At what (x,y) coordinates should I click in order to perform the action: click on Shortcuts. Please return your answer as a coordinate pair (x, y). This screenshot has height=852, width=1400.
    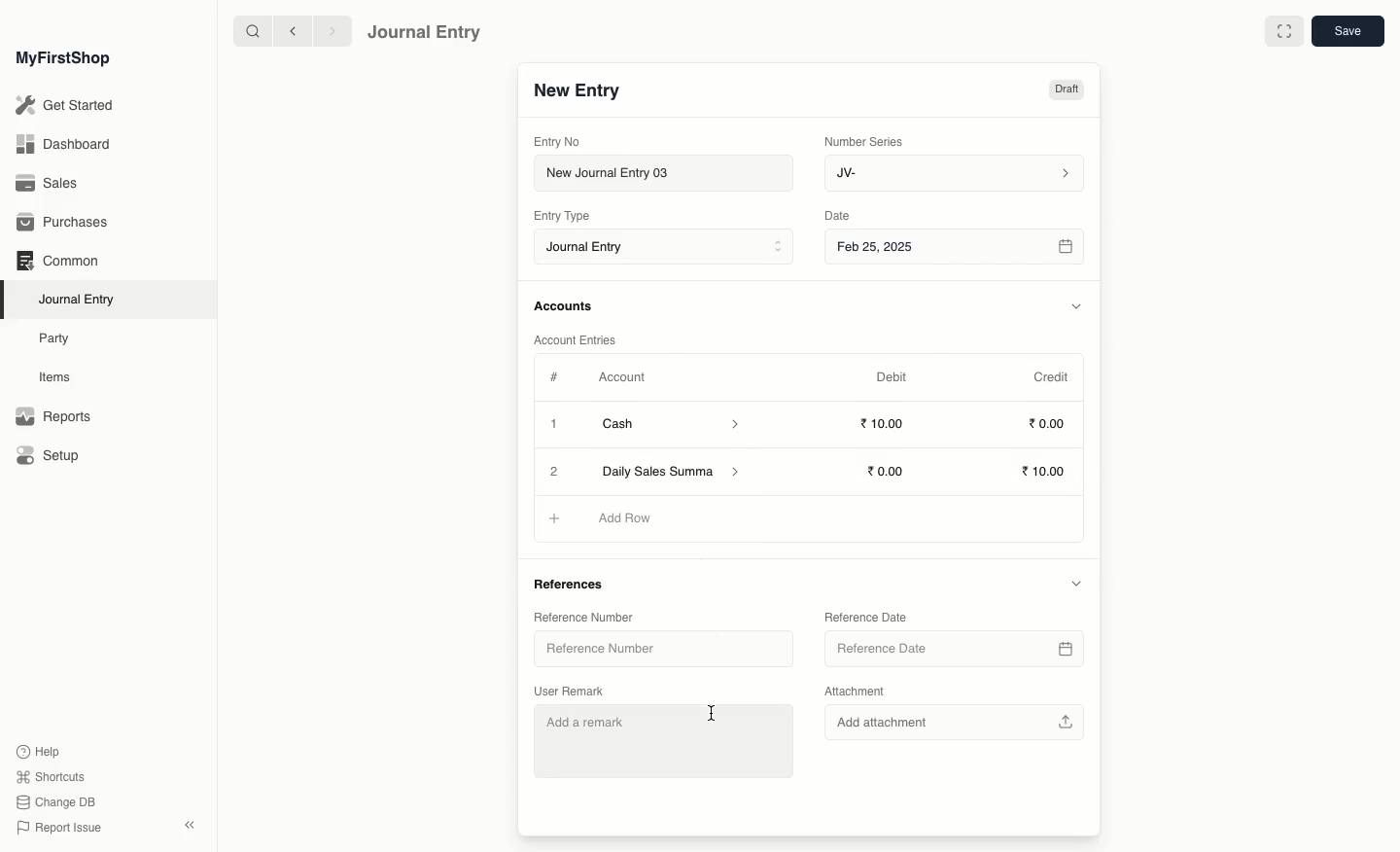
    Looking at the image, I should click on (48, 775).